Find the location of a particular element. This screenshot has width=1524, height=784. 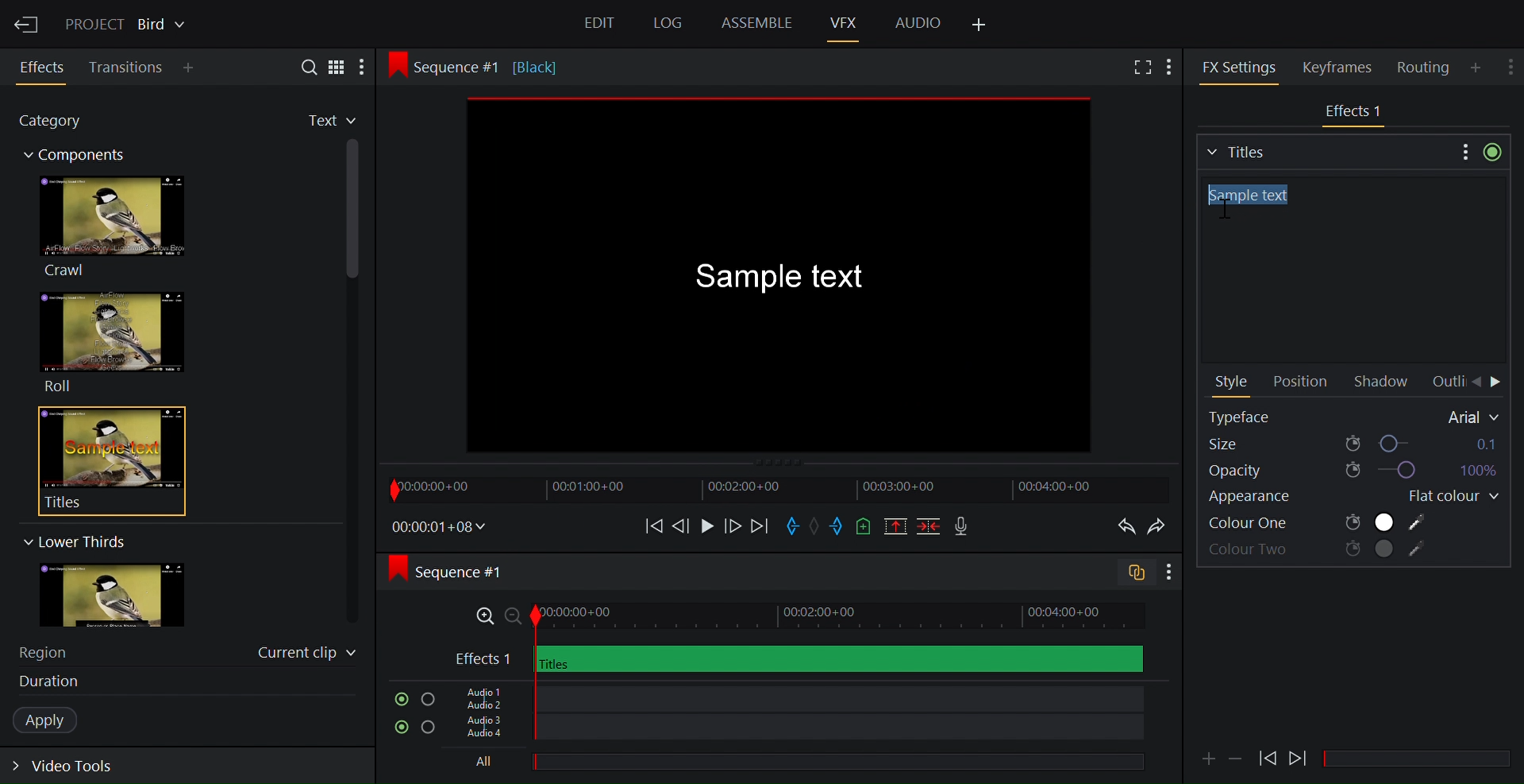

Toggle between list and tile view is located at coordinates (337, 66).